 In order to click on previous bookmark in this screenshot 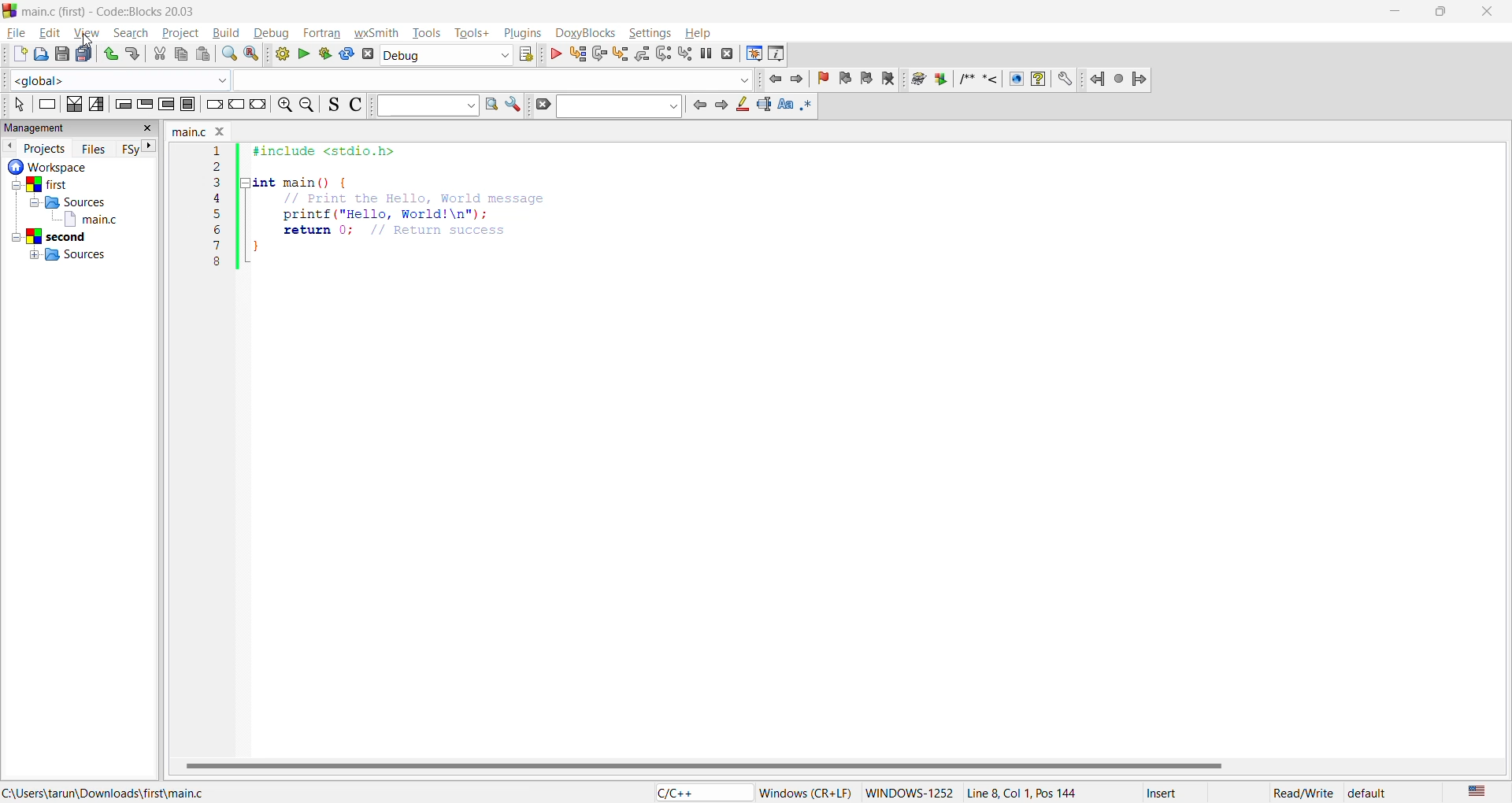, I will do `click(845, 78)`.